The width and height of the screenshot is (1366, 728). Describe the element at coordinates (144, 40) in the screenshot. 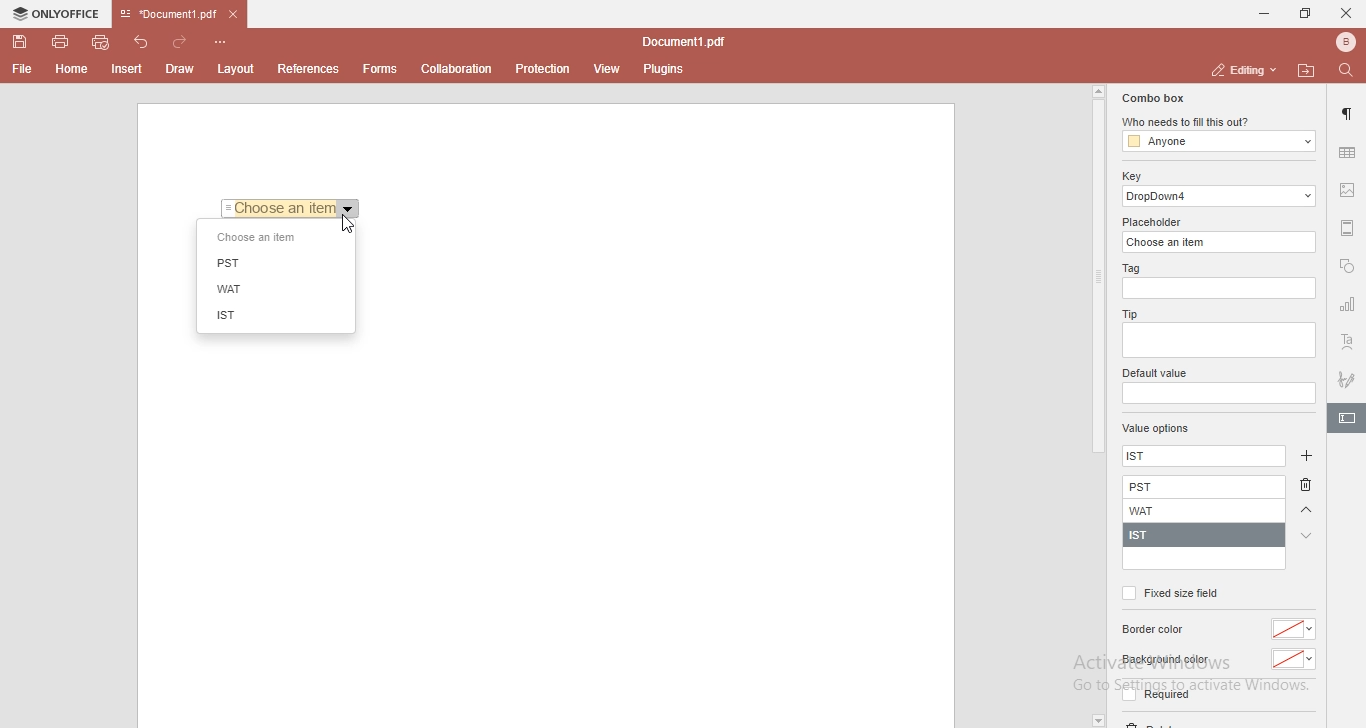

I see `undo` at that location.